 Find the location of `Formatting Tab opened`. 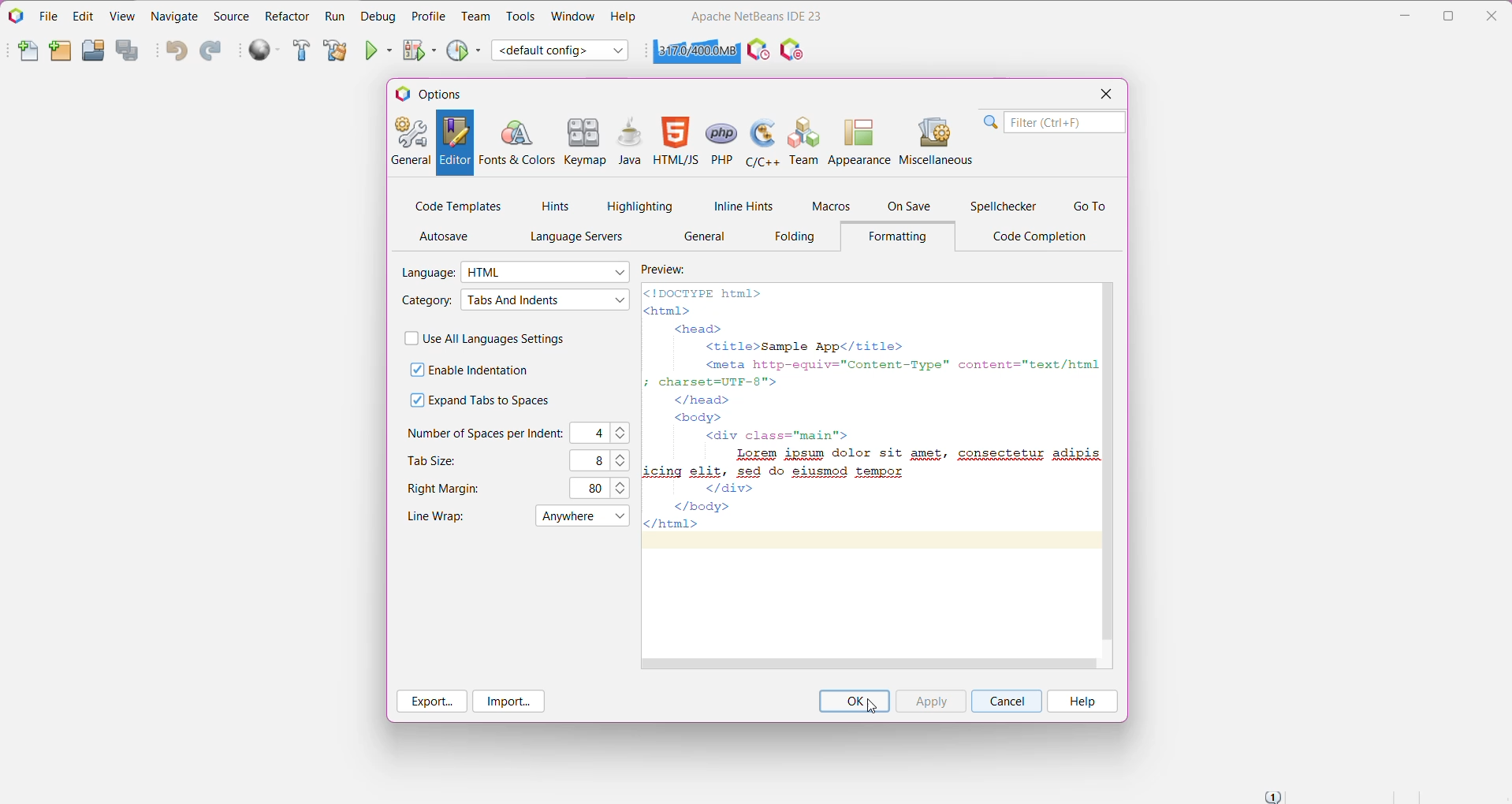

Formatting Tab opened is located at coordinates (903, 237).